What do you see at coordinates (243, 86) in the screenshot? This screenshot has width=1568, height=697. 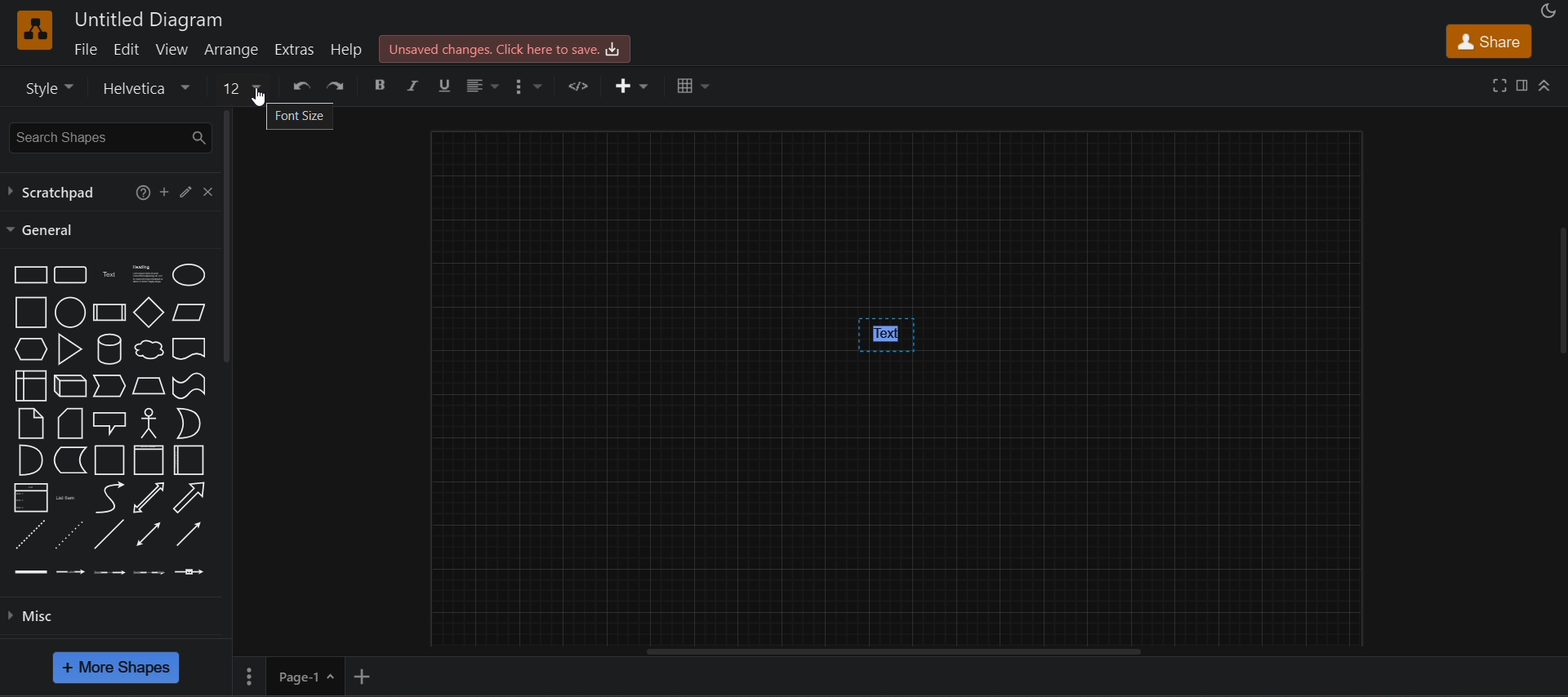 I see `font size` at bounding box center [243, 86].